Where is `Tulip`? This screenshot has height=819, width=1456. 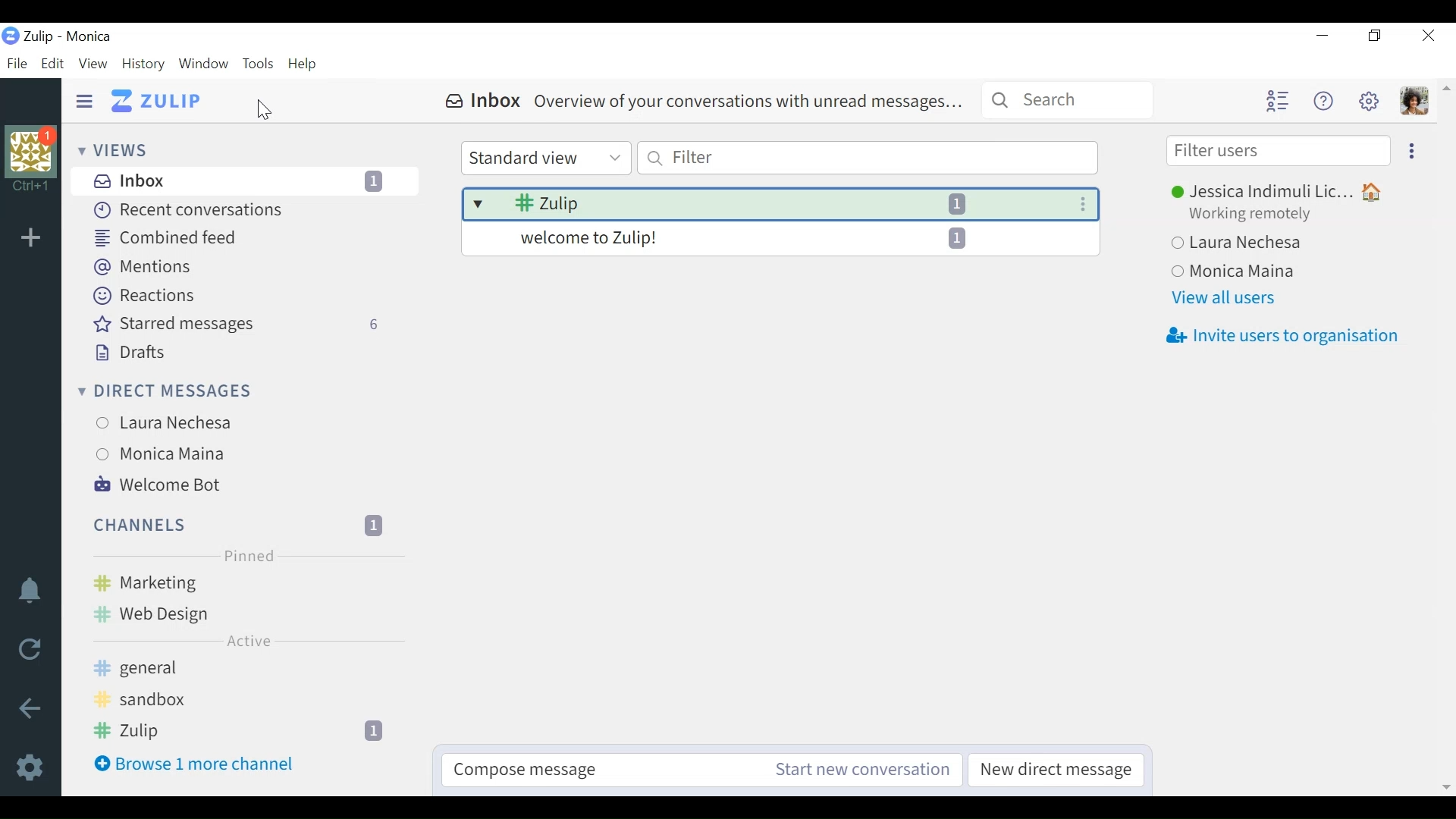
Tulip is located at coordinates (90, 37).